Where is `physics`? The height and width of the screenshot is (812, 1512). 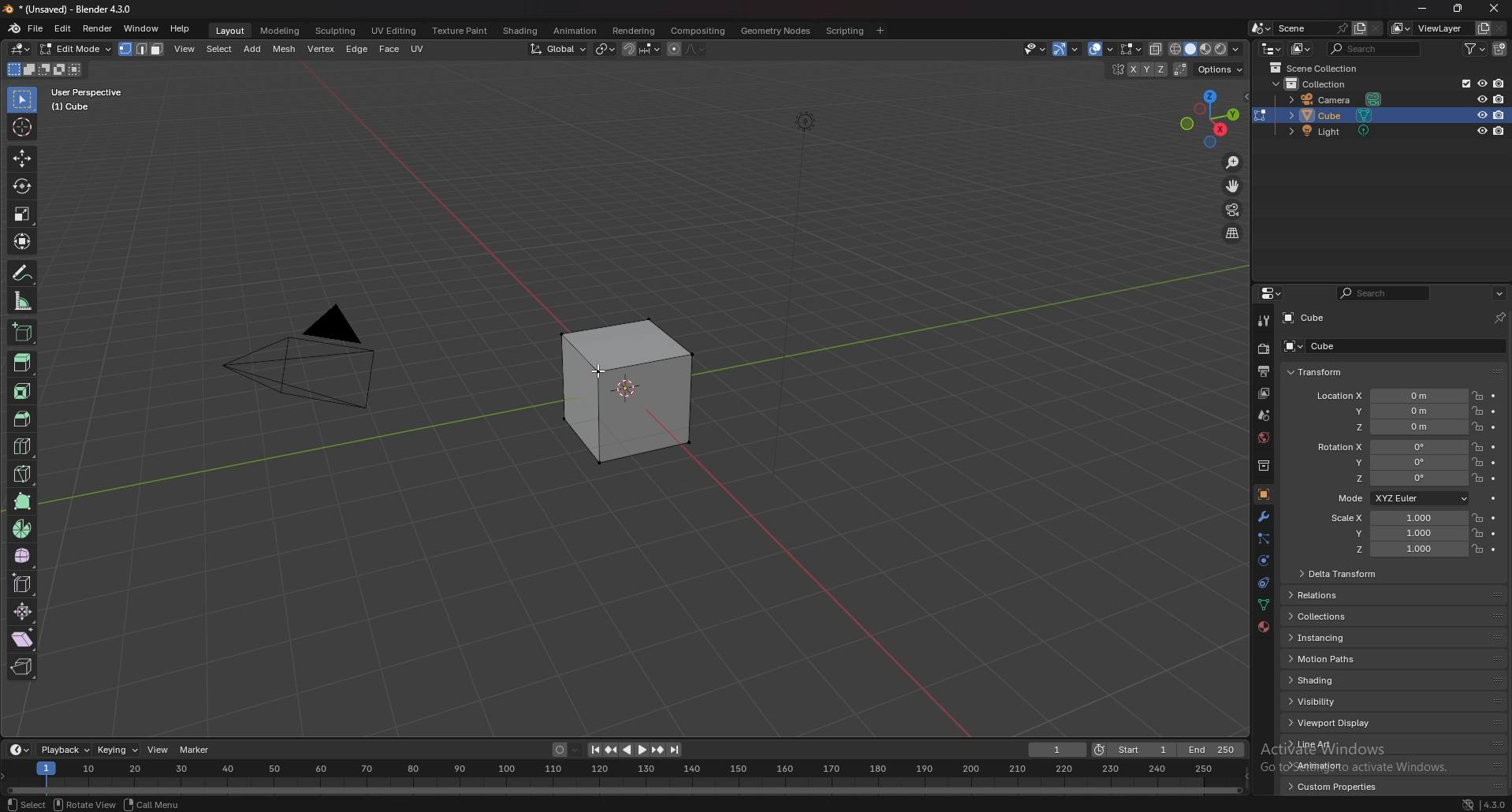
physics is located at coordinates (1264, 561).